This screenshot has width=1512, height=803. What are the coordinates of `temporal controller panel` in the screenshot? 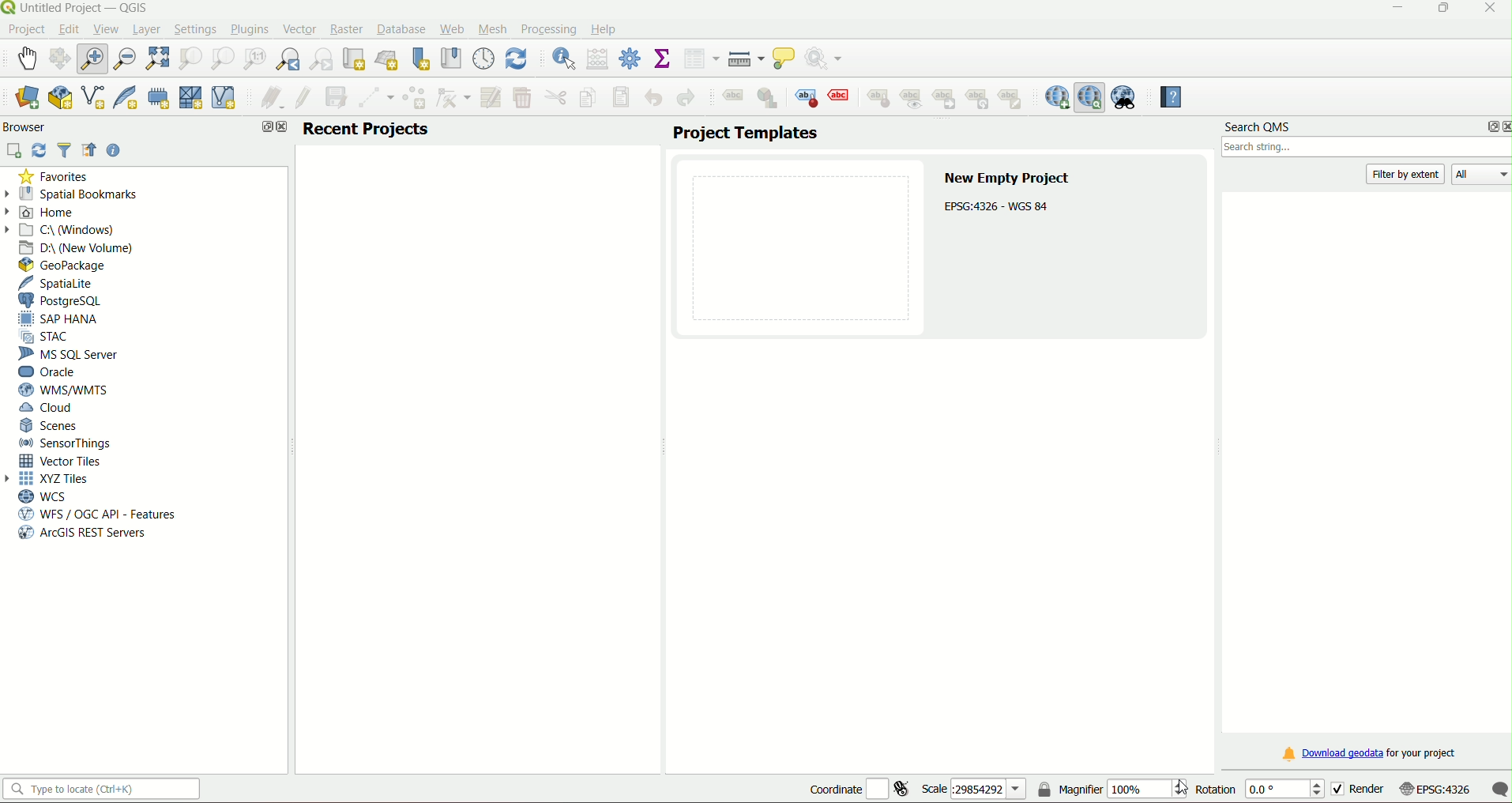 It's located at (483, 58).